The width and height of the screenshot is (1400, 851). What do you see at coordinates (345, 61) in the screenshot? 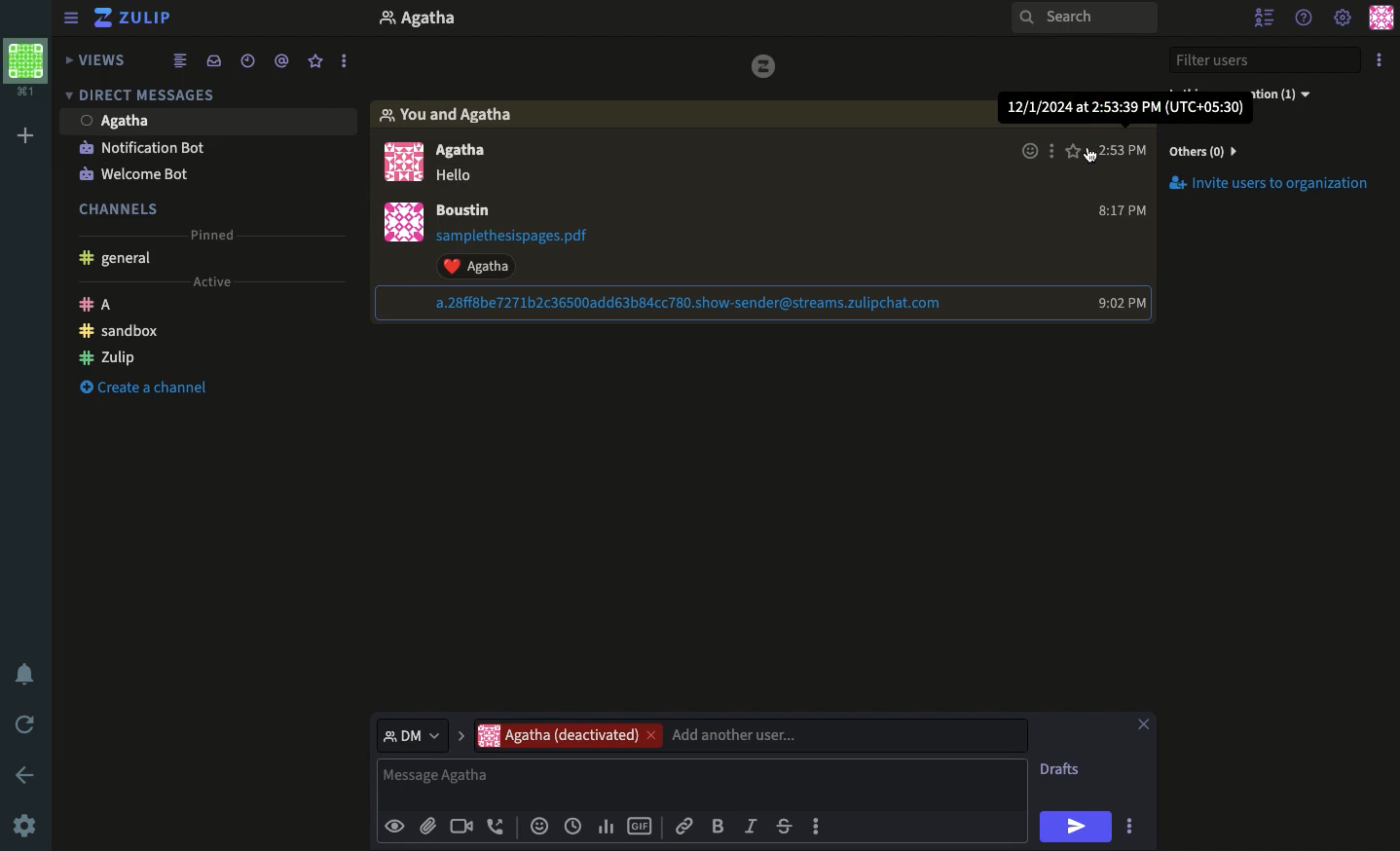
I see `options` at bounding box center [345, 61].